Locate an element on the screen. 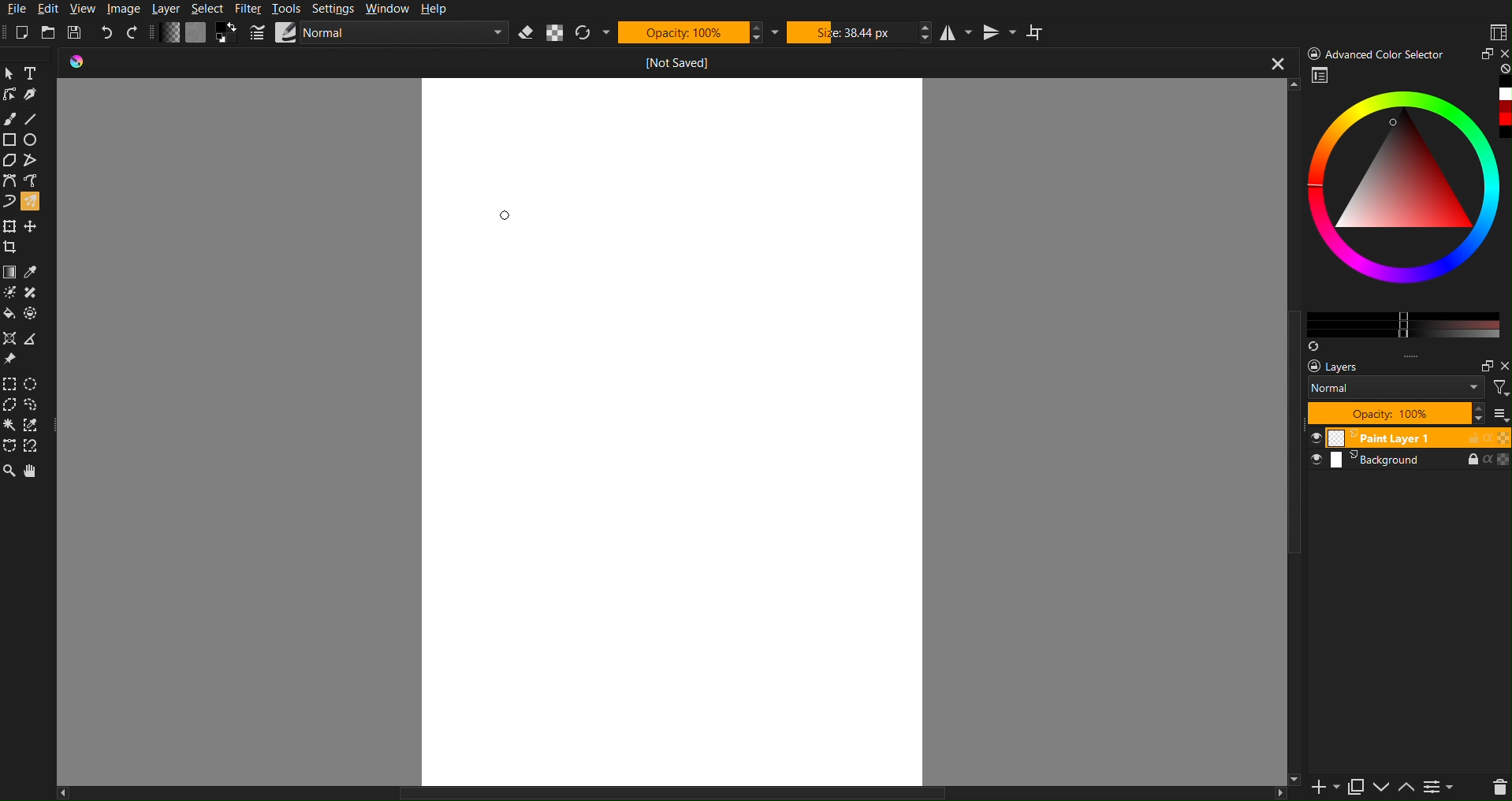 The image size is (1512, 801). Select is located at coordinates (214, 7).